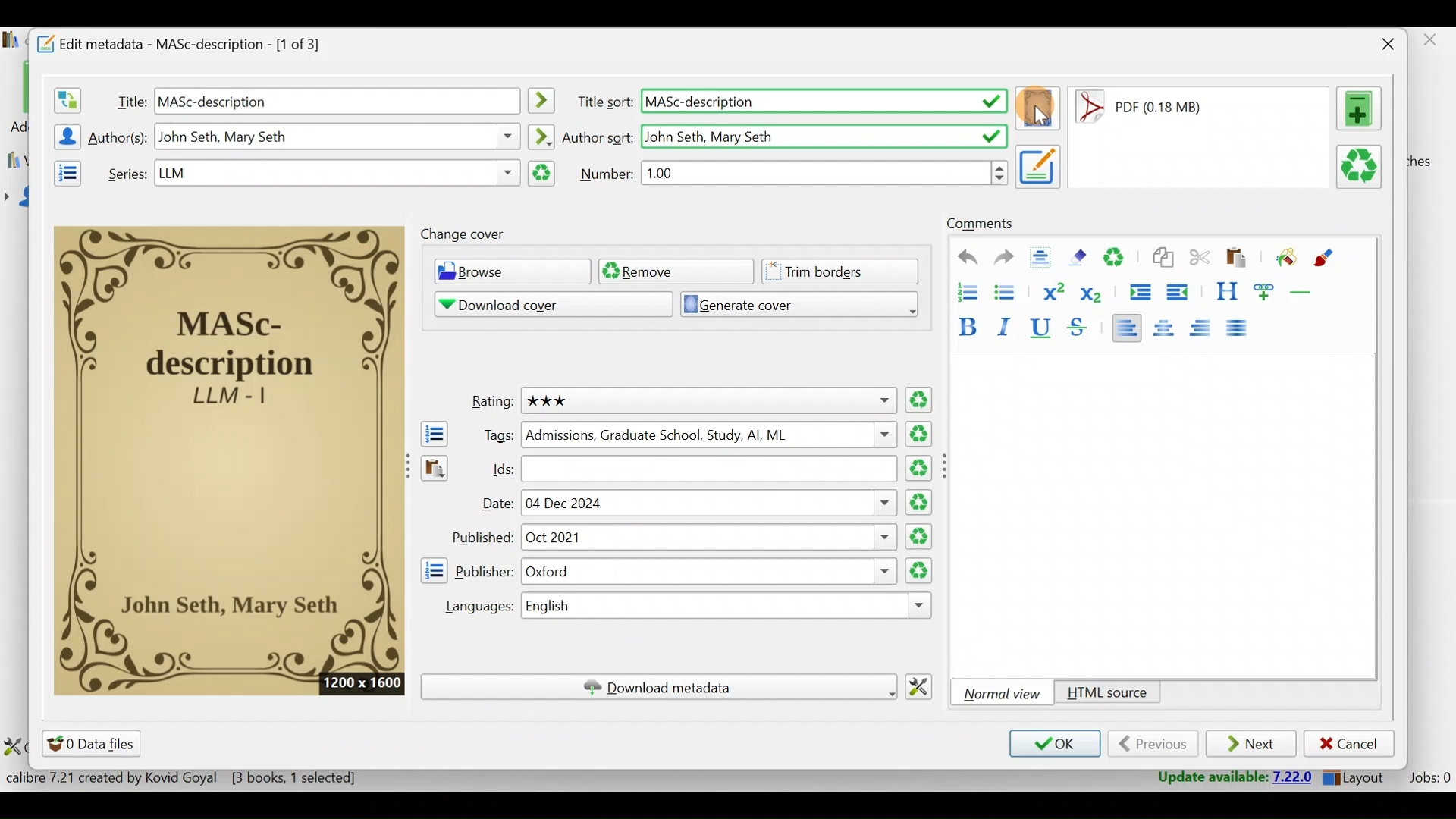 The image size is (1456, 819). Describe the element at coordinates (1267, 291) in the screenshot. I see `Insert link or image` at that location.